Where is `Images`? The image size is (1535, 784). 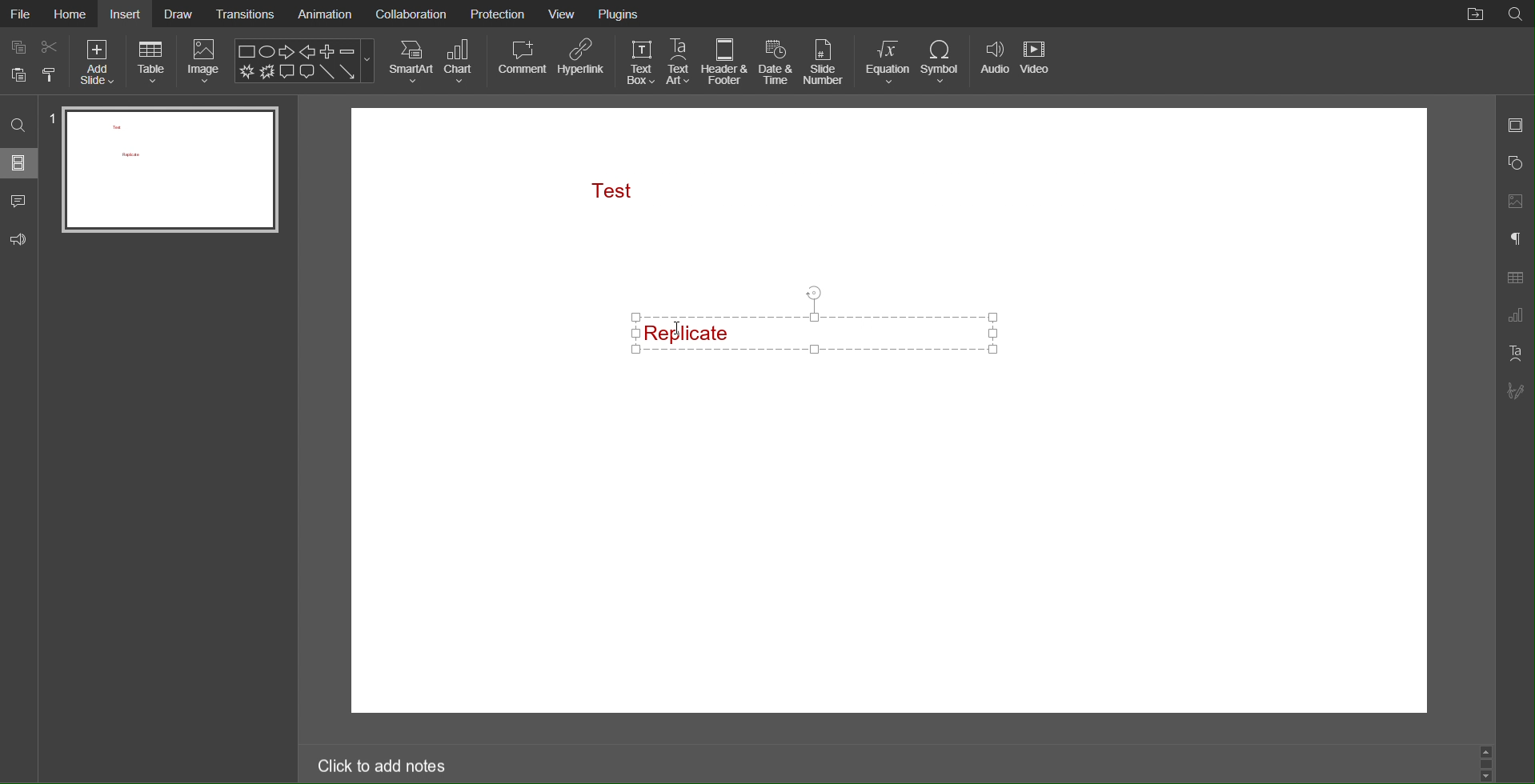 Images is located at coordinates (1515, 198).